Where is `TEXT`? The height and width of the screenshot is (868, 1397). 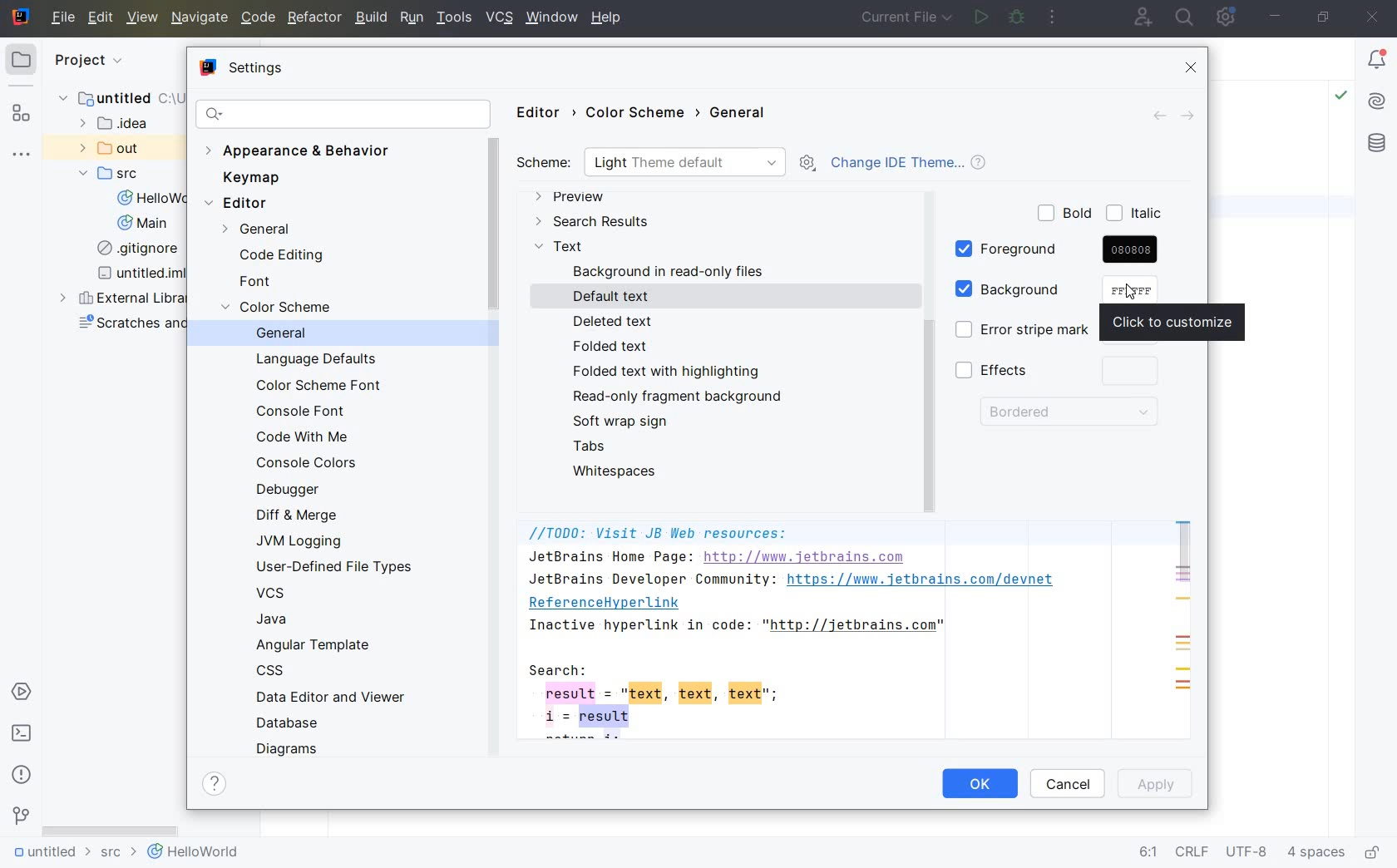 TEXT is located at coordinates (560, 248).